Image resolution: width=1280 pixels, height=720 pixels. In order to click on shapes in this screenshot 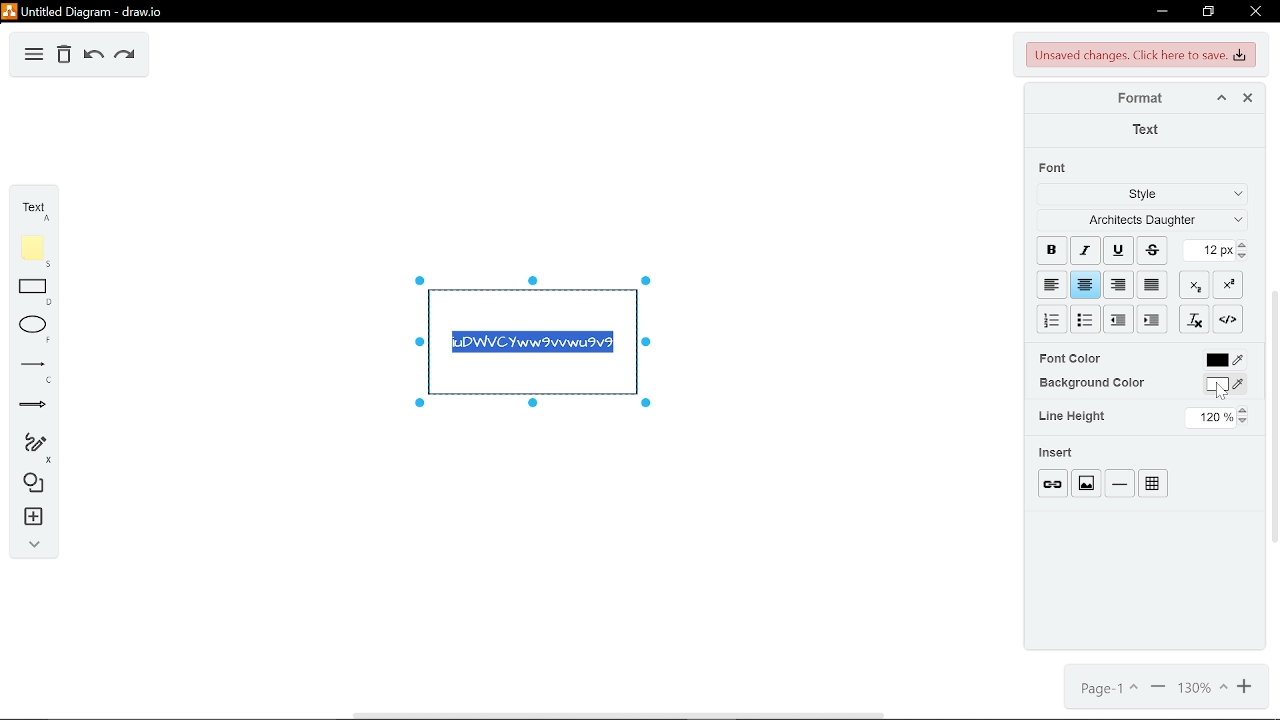, I will do `click(31, 485)`.